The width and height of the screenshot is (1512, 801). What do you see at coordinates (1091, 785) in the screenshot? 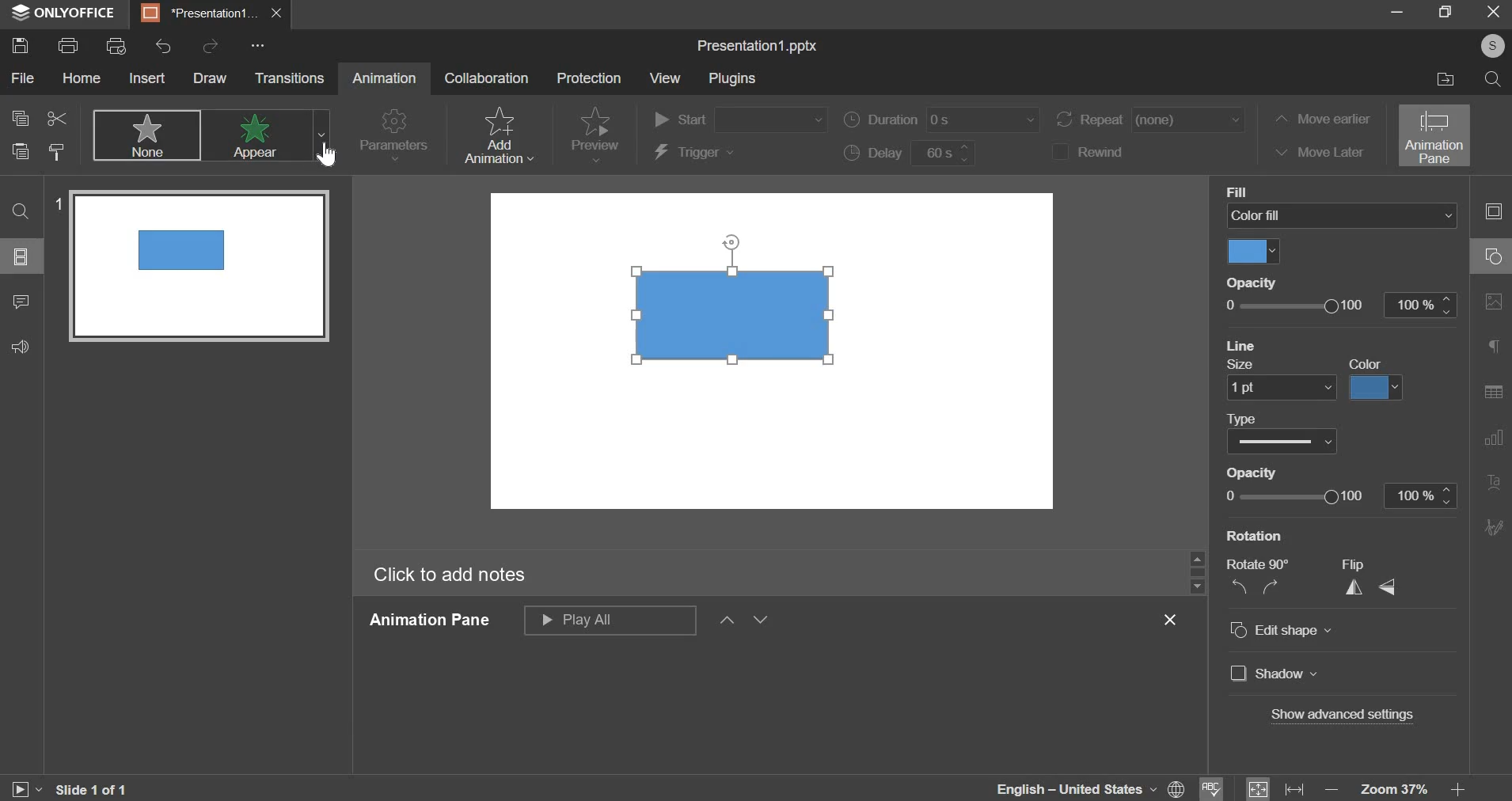
I see `english -United Staes` at bounding box center [1091, 785].